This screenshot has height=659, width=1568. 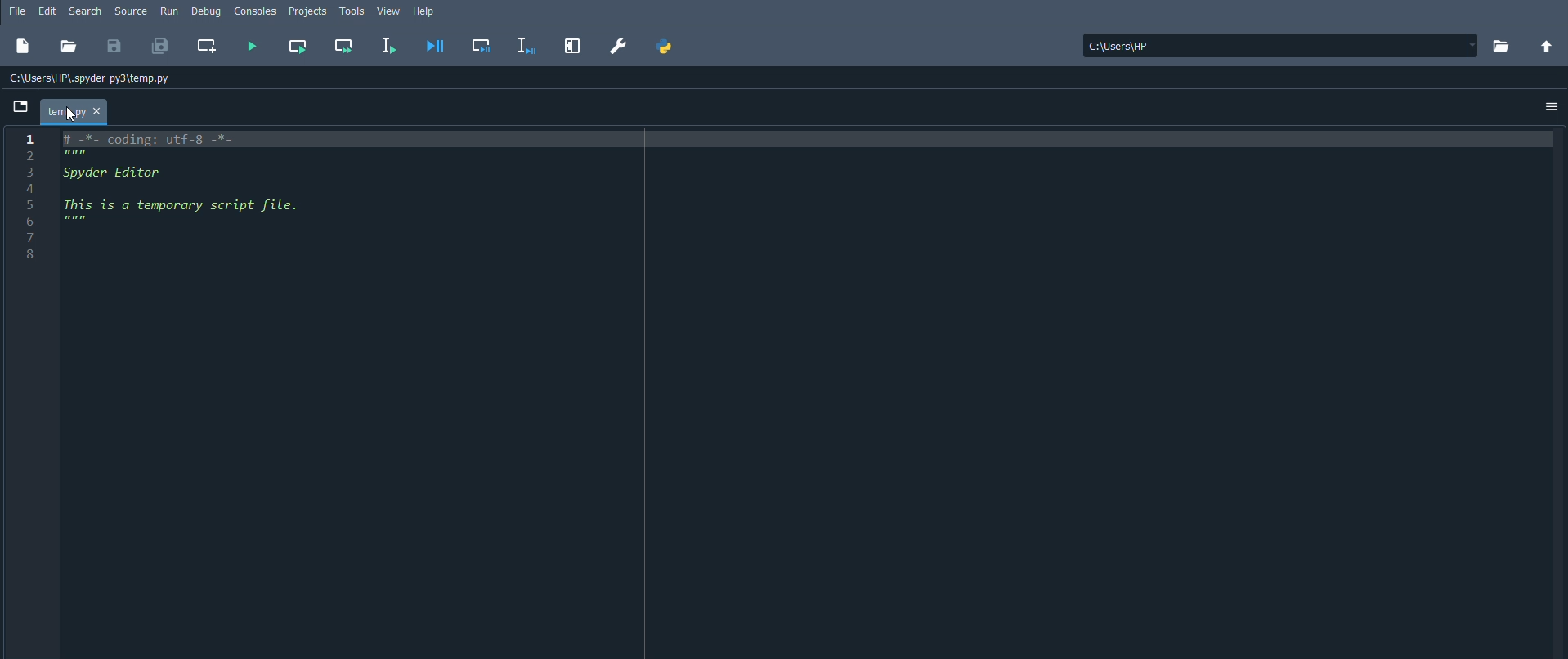 I want to click on Run, so click(x=169, y=11).